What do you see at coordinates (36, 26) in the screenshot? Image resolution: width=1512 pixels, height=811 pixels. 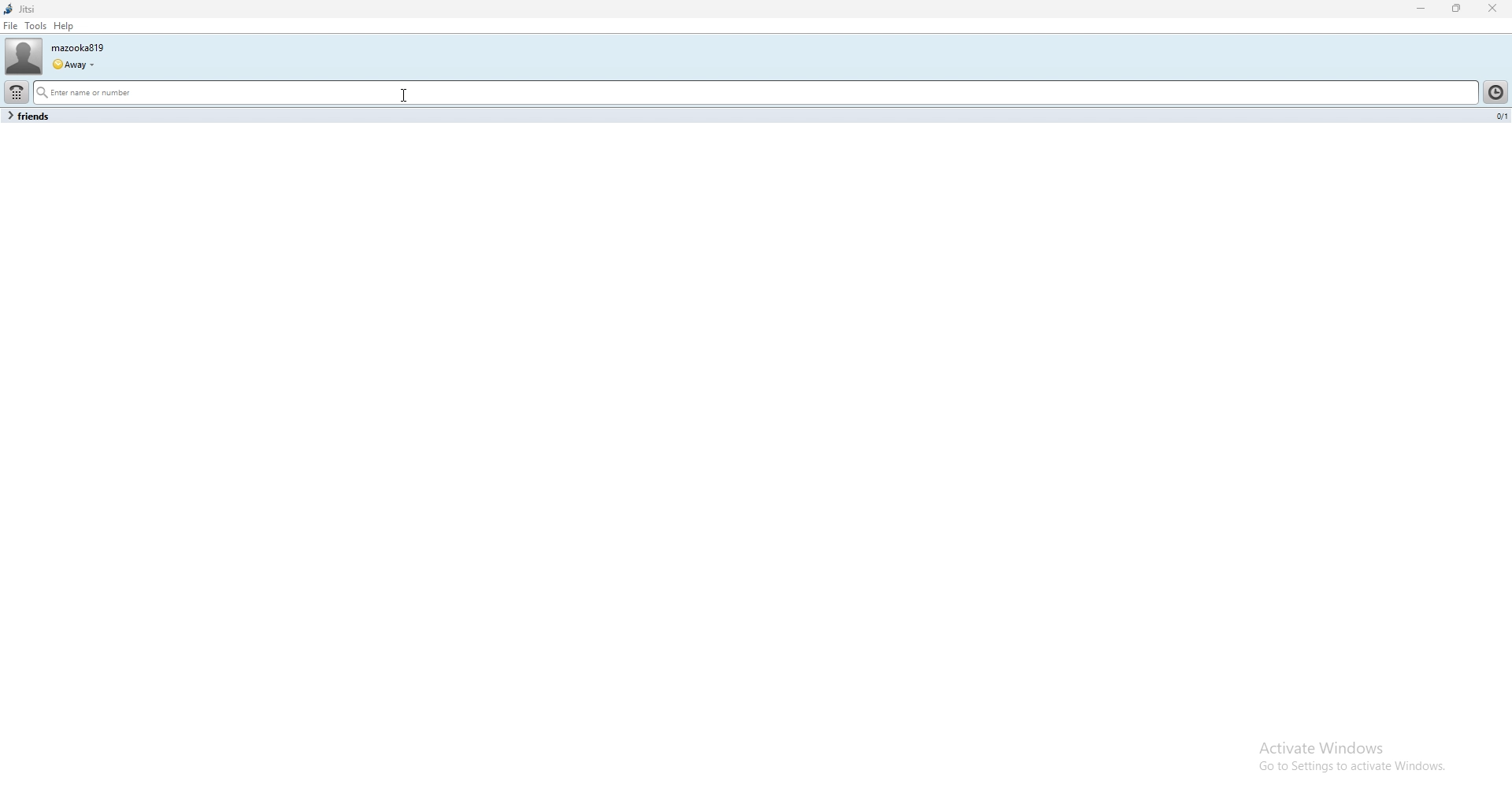 I see `tools` at bounding box center [36, 26].